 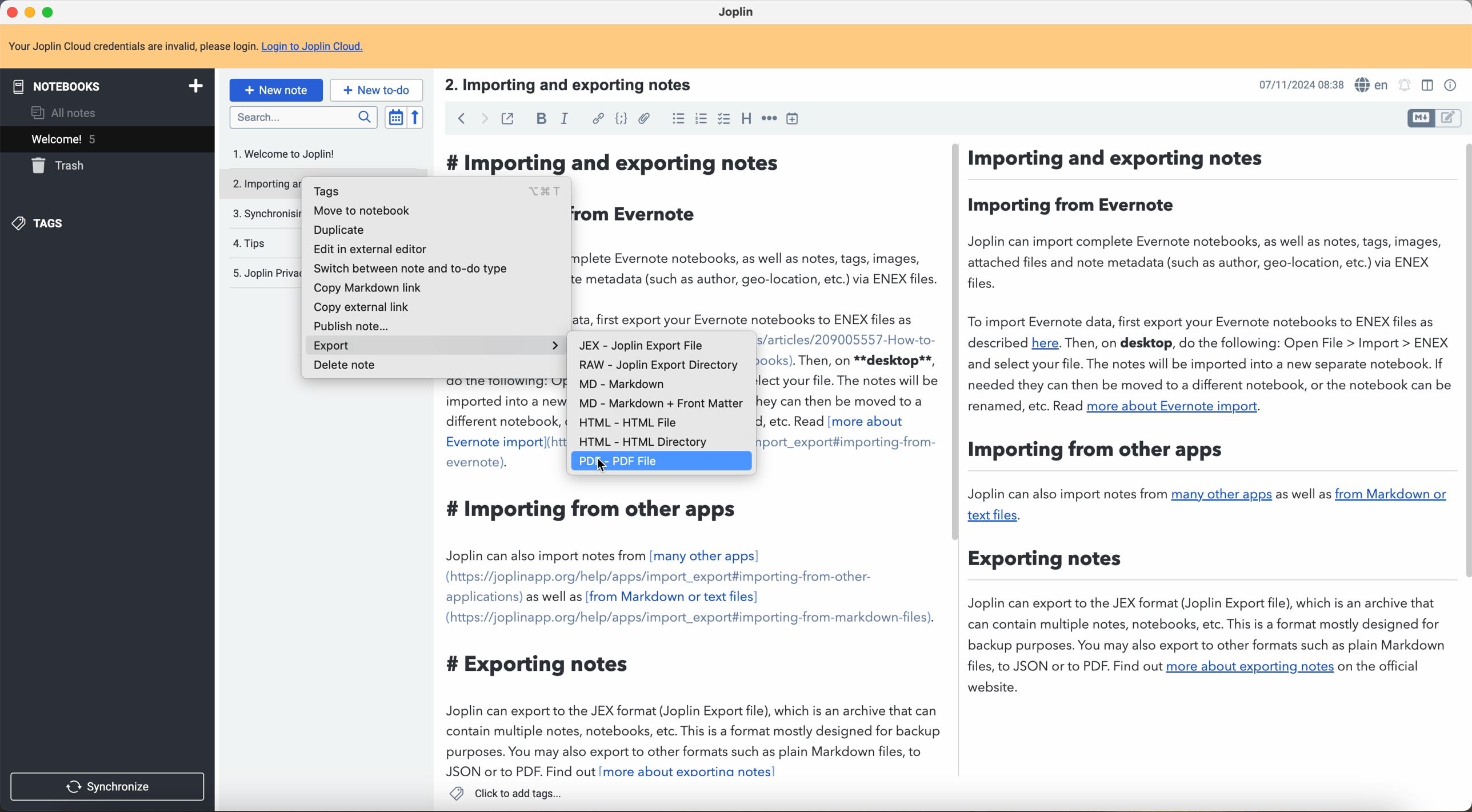 I want to click on toggle sort order field, so click(x=394, y=117).